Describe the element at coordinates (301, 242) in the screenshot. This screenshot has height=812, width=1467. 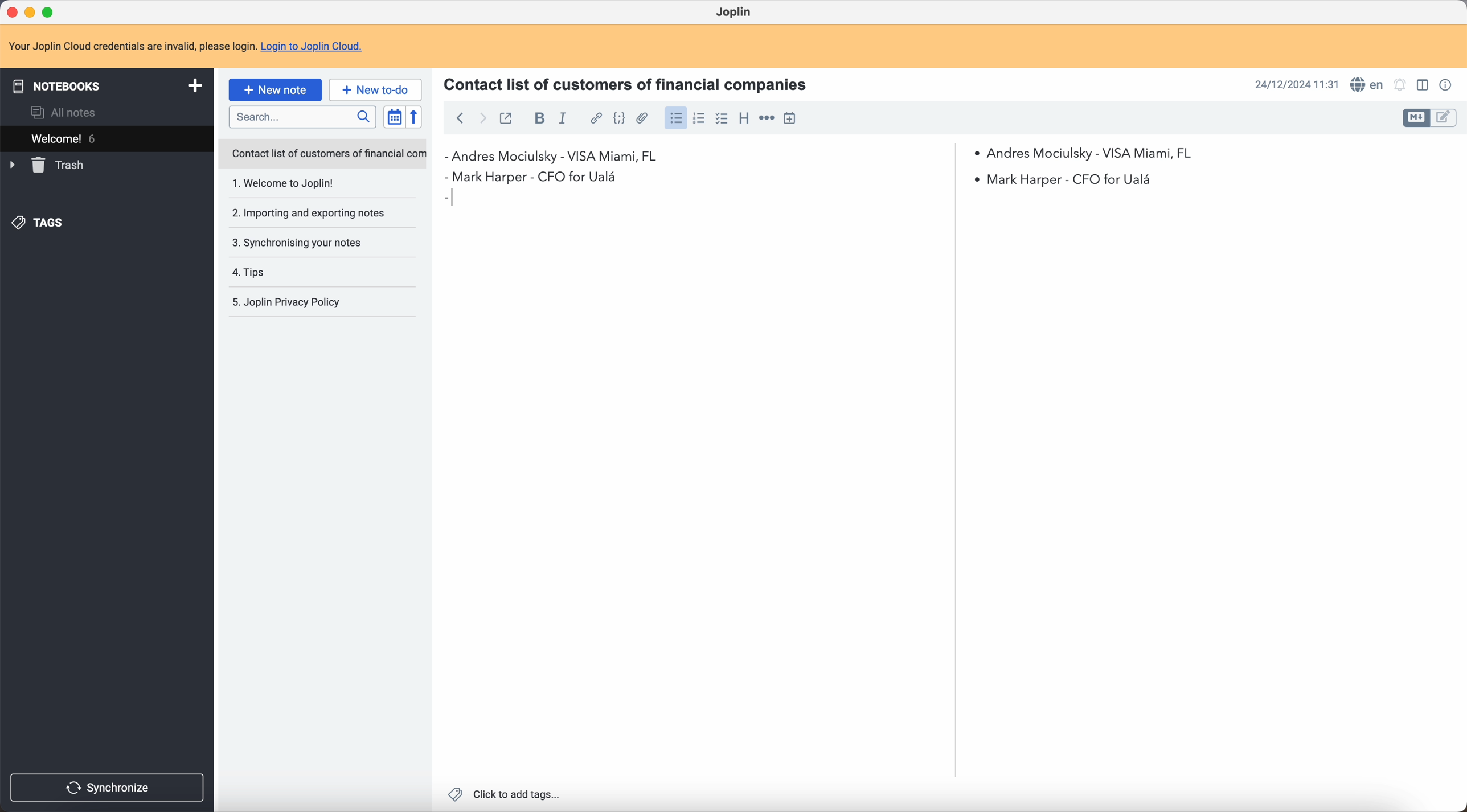
I see `3. Synchronising your notes` at that location.